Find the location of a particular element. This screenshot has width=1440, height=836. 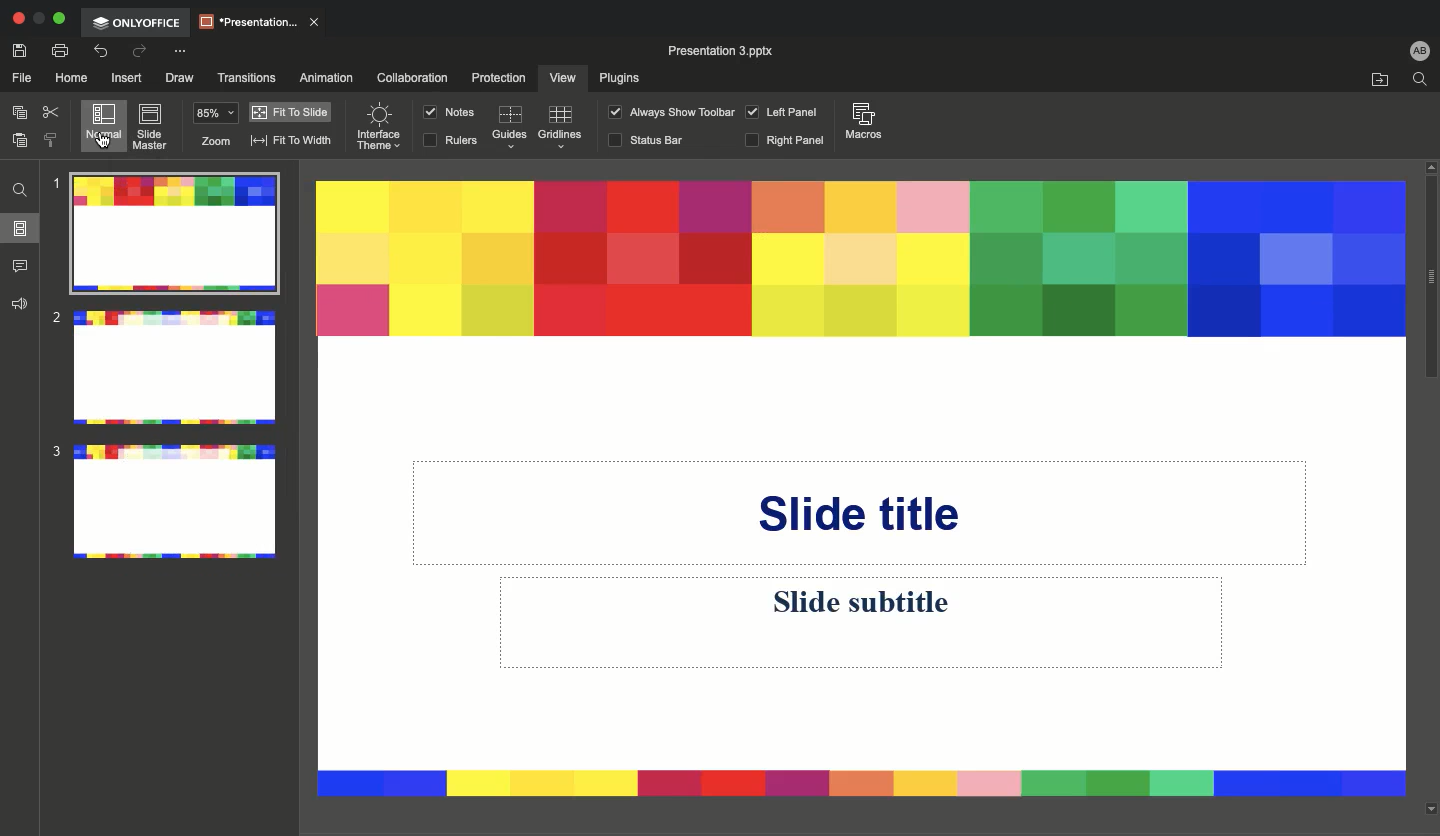

Print is located at coordinates (59, 52).